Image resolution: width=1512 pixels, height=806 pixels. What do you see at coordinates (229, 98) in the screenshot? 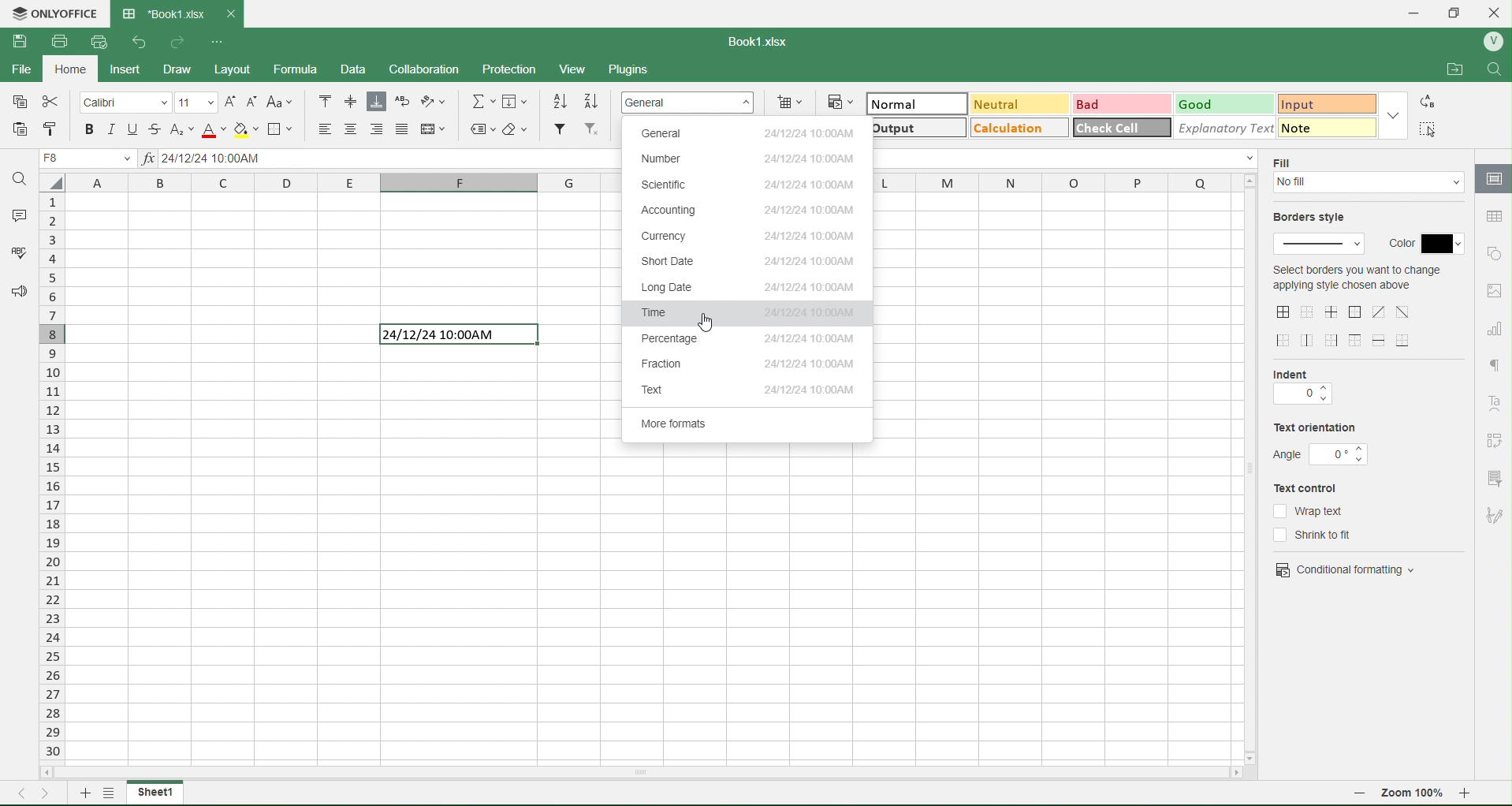
I see `Increment Font Size` at bounding box center [229, 98].